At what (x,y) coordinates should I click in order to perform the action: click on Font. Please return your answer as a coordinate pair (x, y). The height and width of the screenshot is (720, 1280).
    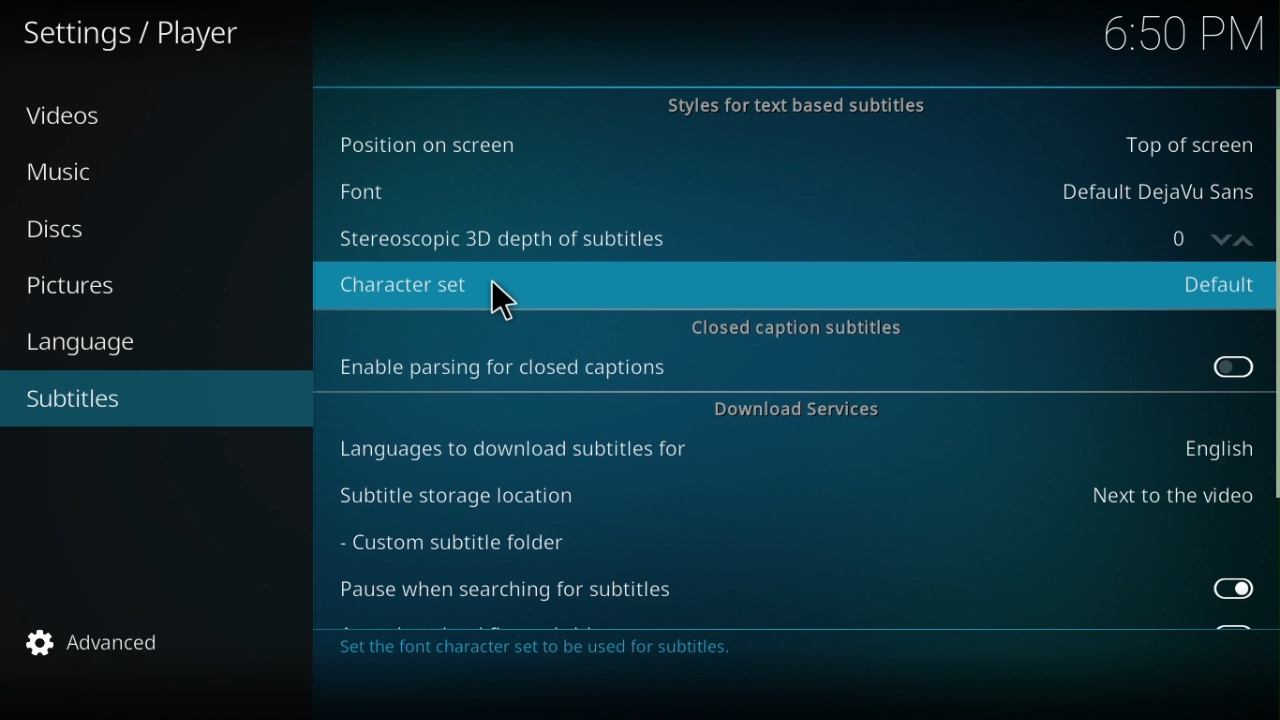
    Looking at the image, I should click on (791, 188).